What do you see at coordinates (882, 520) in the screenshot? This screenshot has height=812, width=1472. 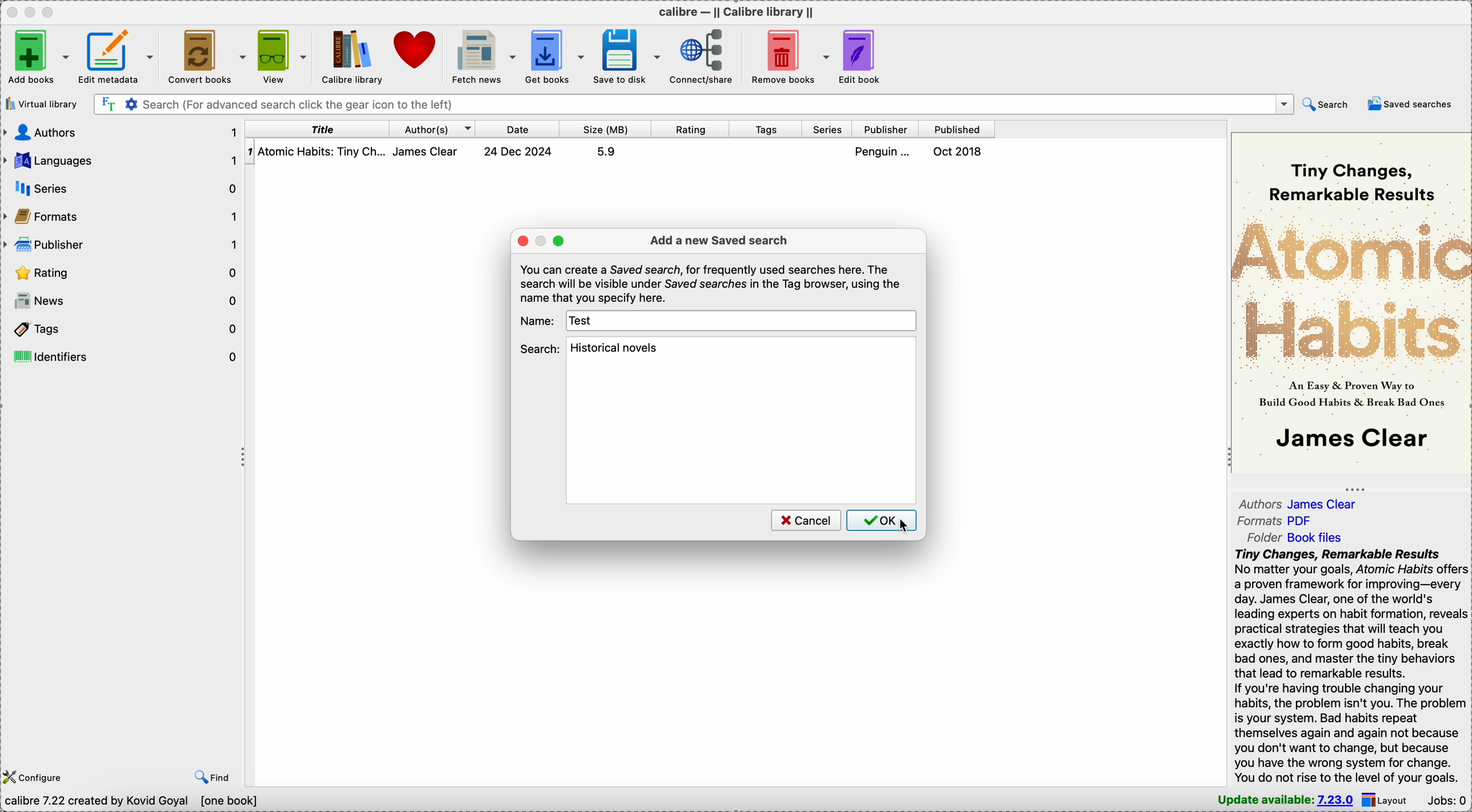 I see `OK` at bounding box center [882, 520].